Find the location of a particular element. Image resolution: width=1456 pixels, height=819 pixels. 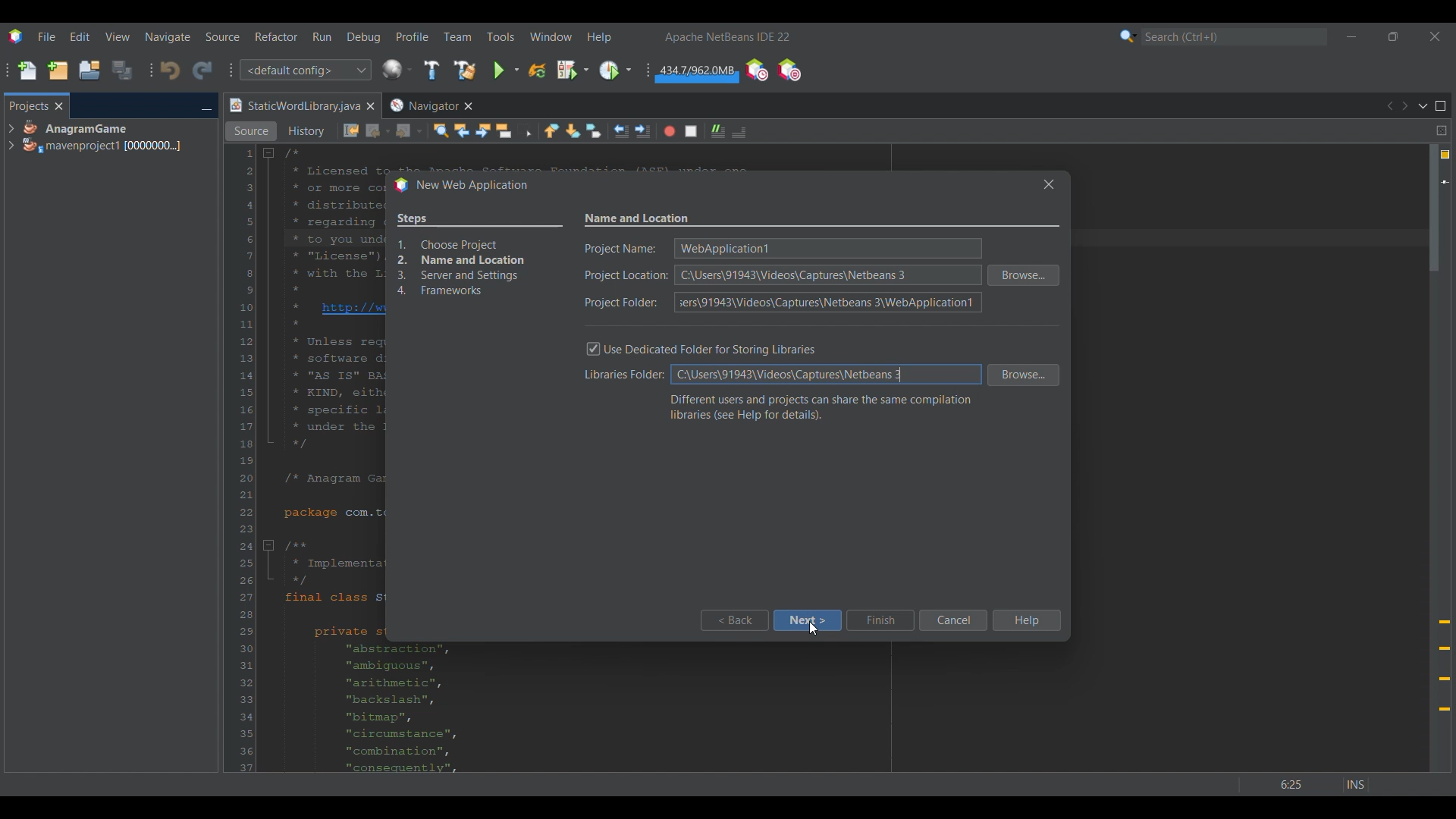

Debug menu is located at coordinates (364, 37).